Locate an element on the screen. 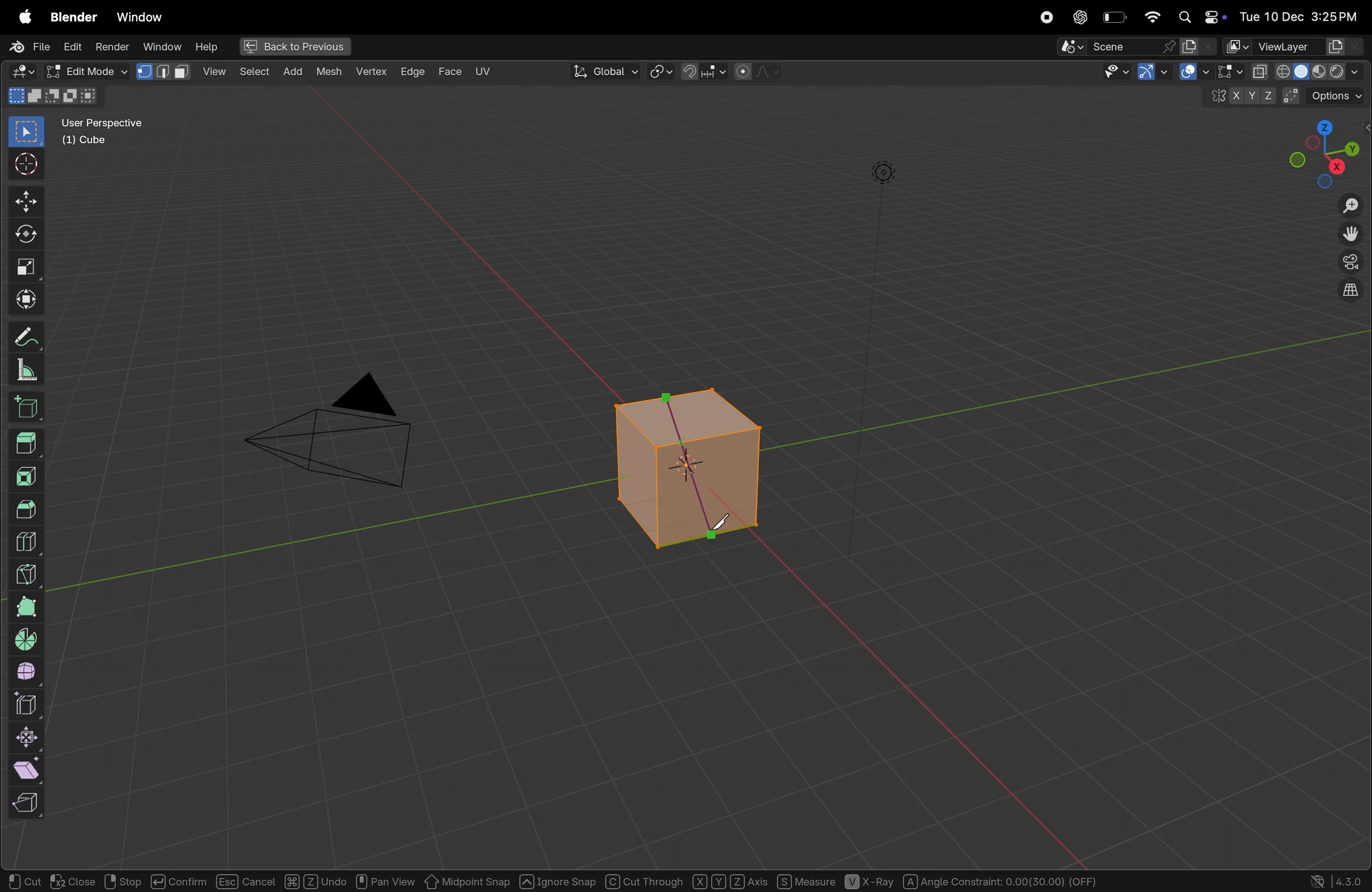  Visibility is located at coordinates (1128, 73).